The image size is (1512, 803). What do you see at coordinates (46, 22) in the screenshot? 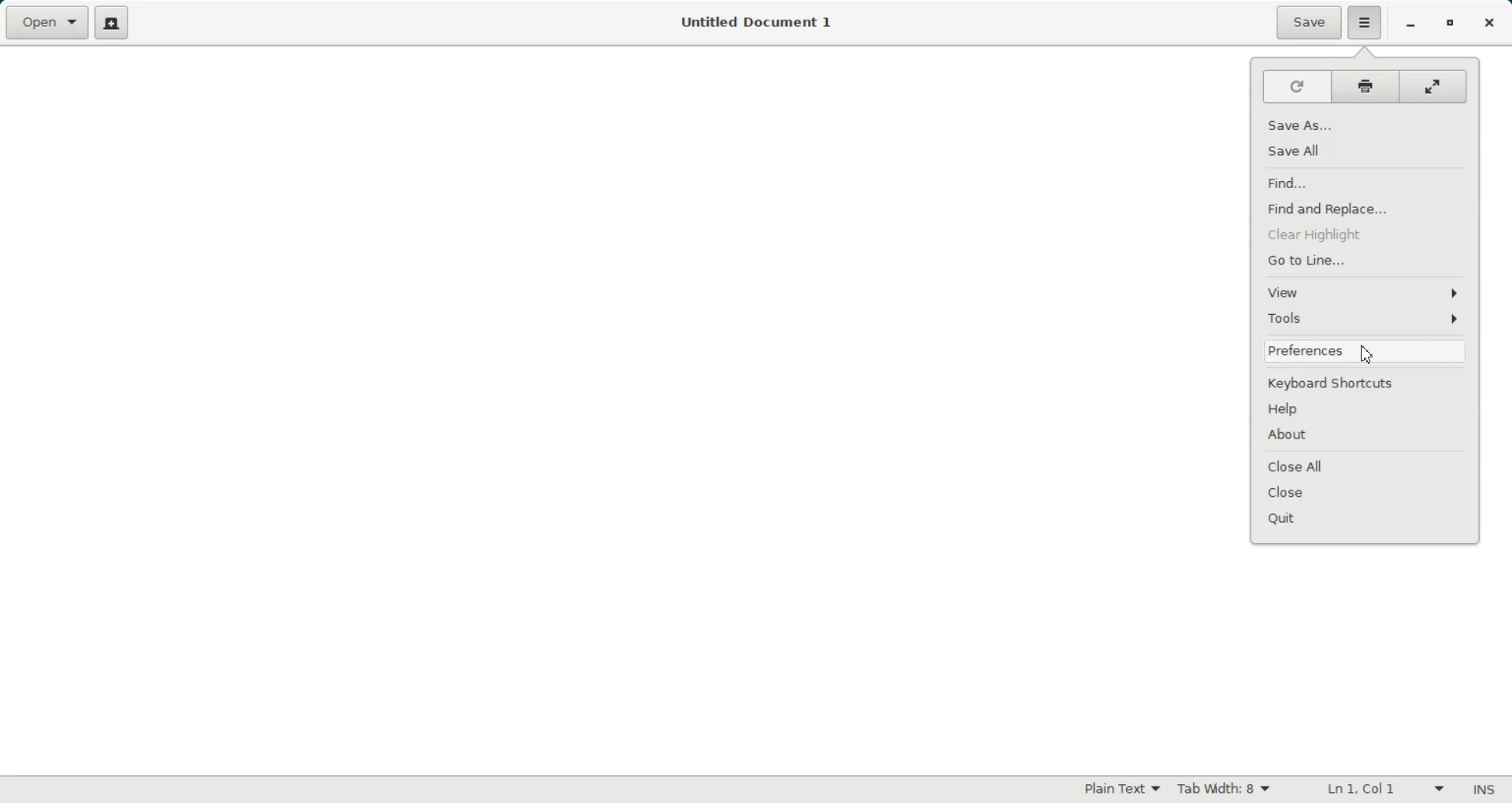
I see `Open a file` at bounding box center [46, 22].